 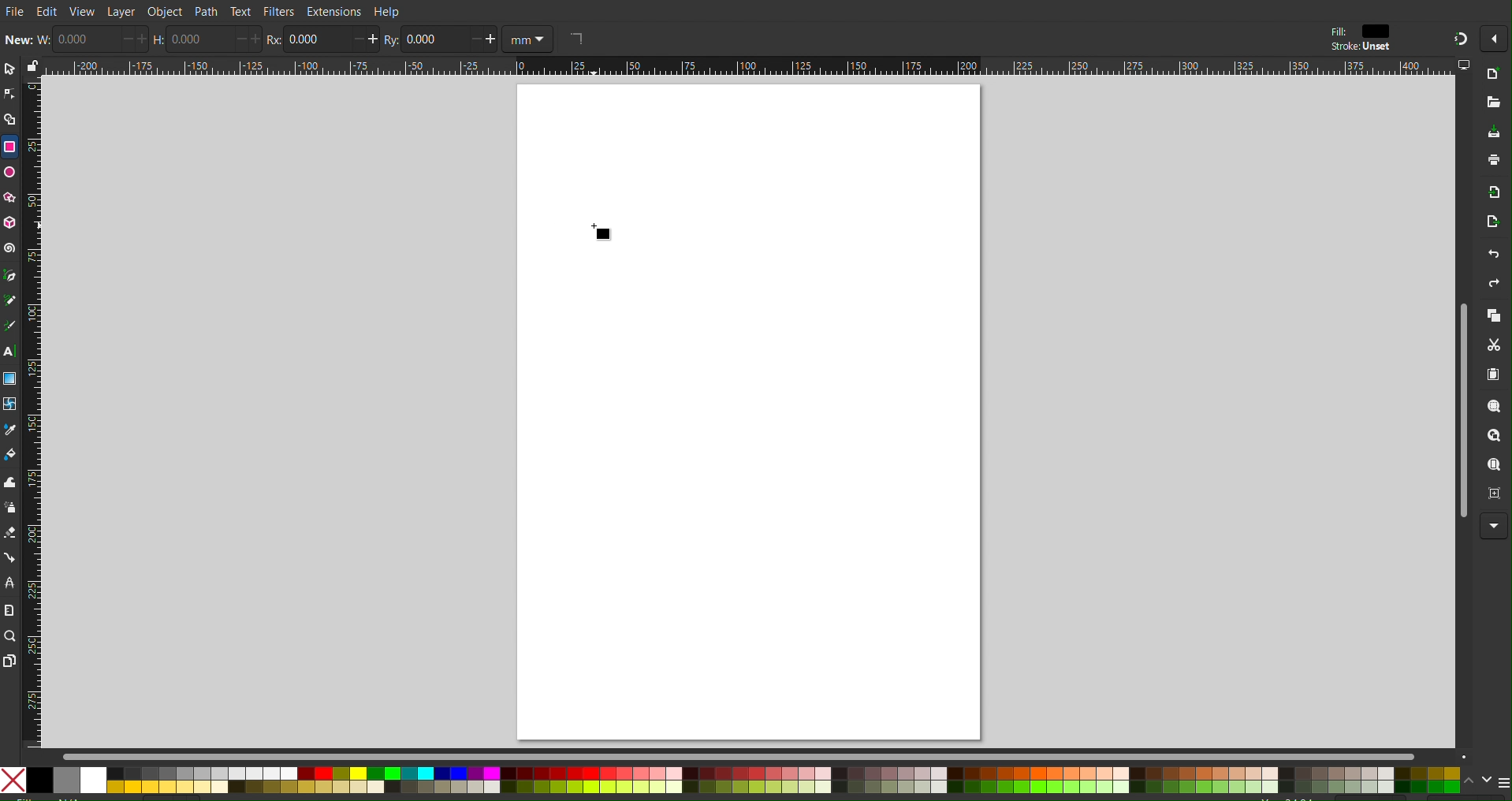 I want to click on increase/decrease, so click(x=367, y=39).